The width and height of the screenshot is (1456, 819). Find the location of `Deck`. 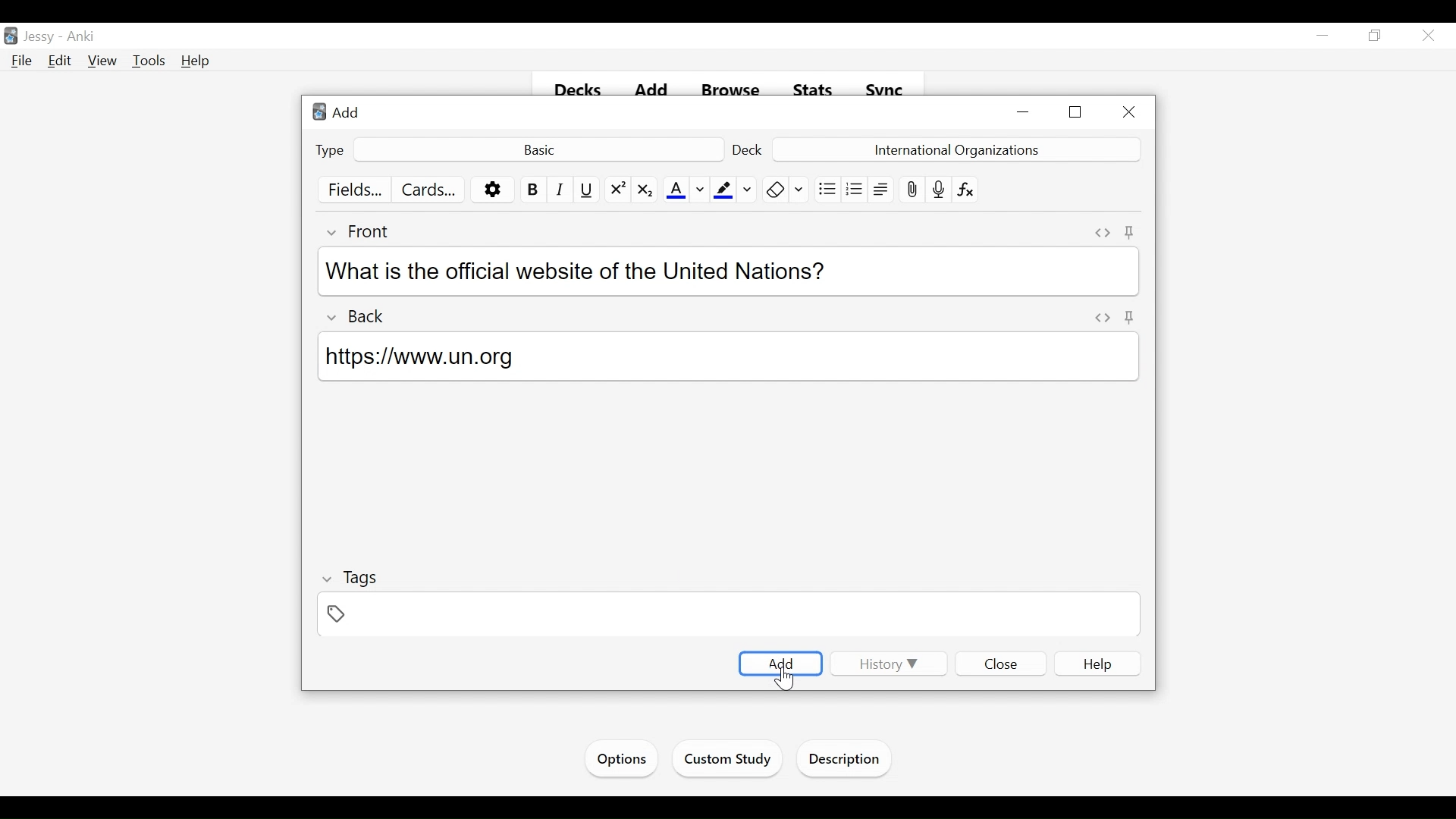

Deck is located at coordinates (748, 149).